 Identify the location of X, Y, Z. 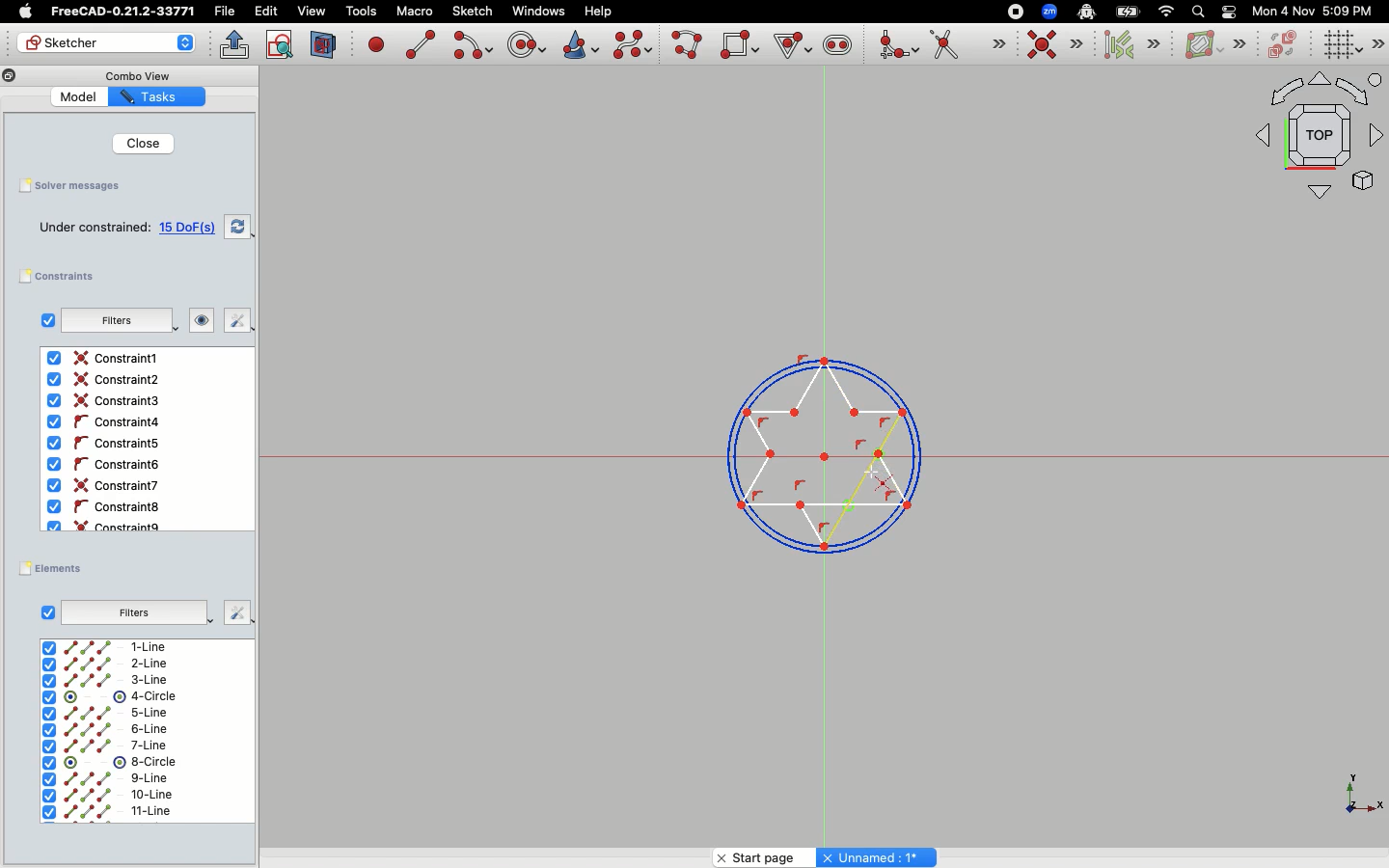
(1351, 800).